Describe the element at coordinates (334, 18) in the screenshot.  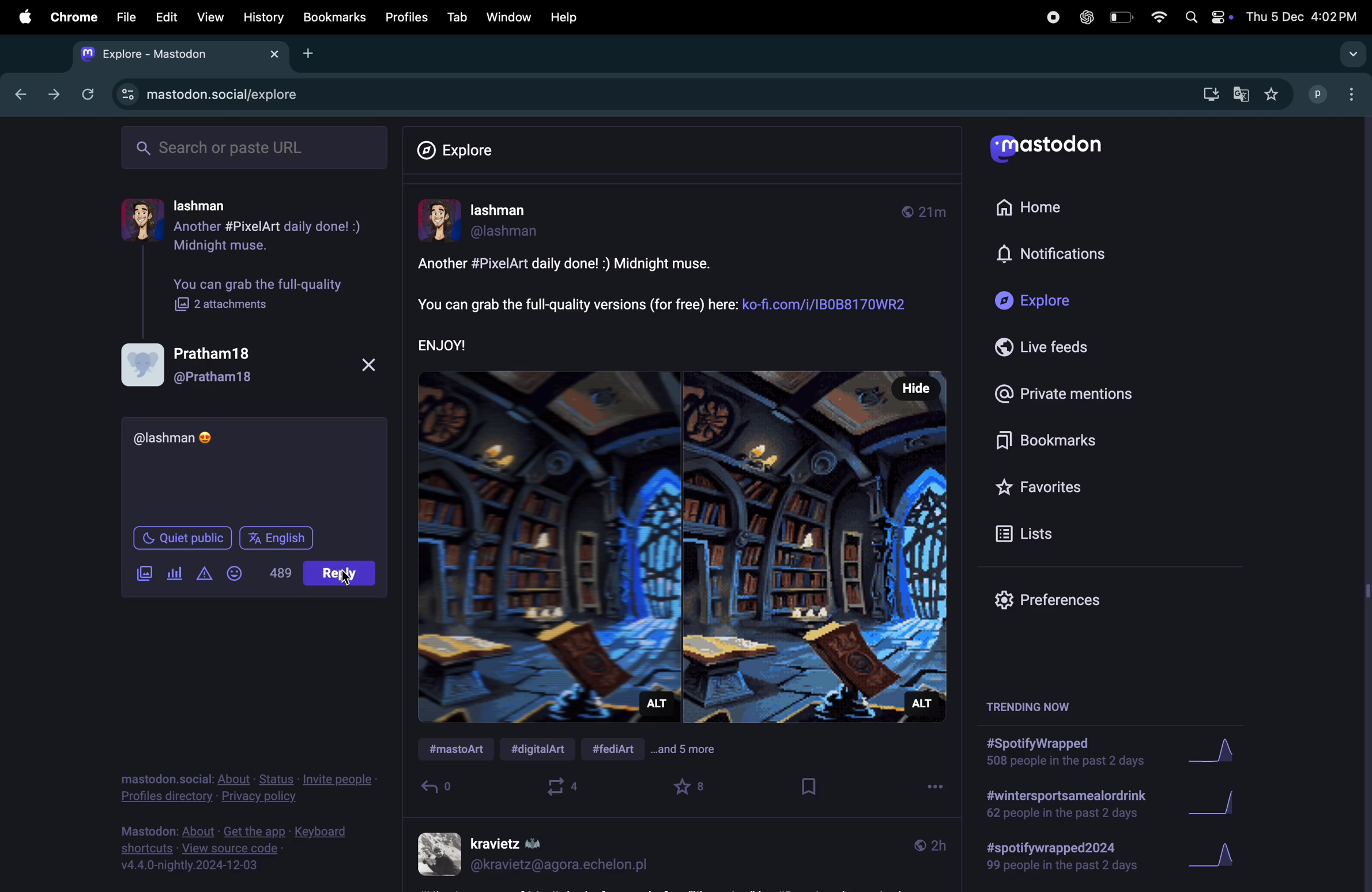
I see `bookmarks` at that location.